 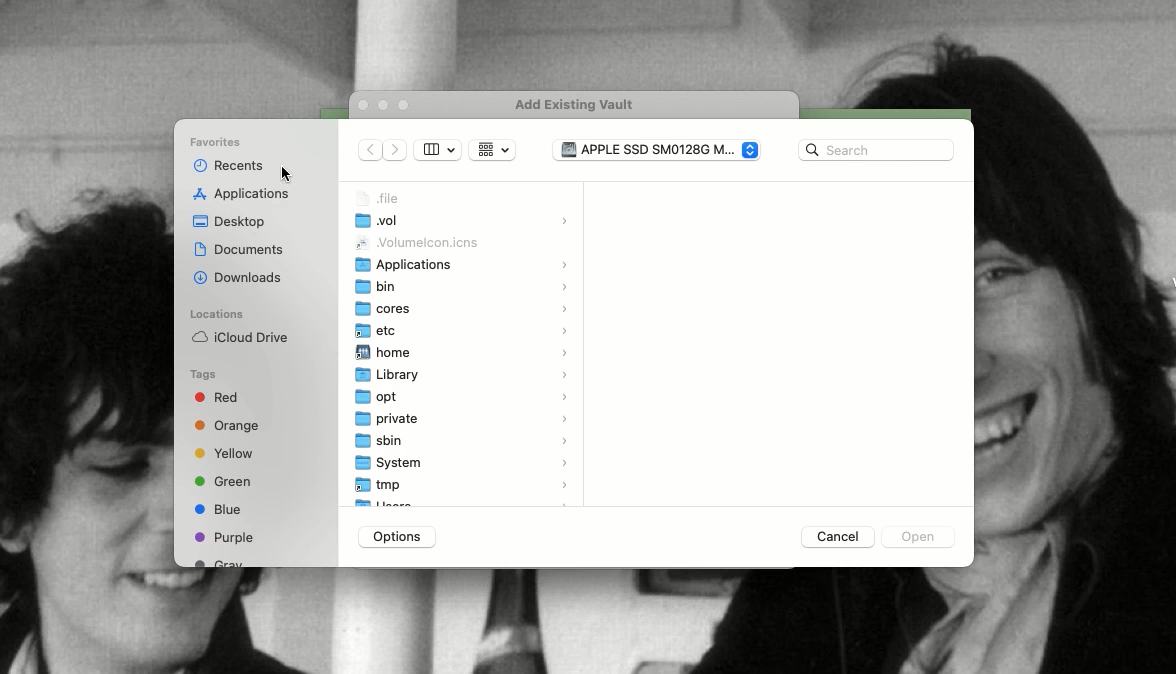 I want to click on Downloads, so click(x=240, y=276).